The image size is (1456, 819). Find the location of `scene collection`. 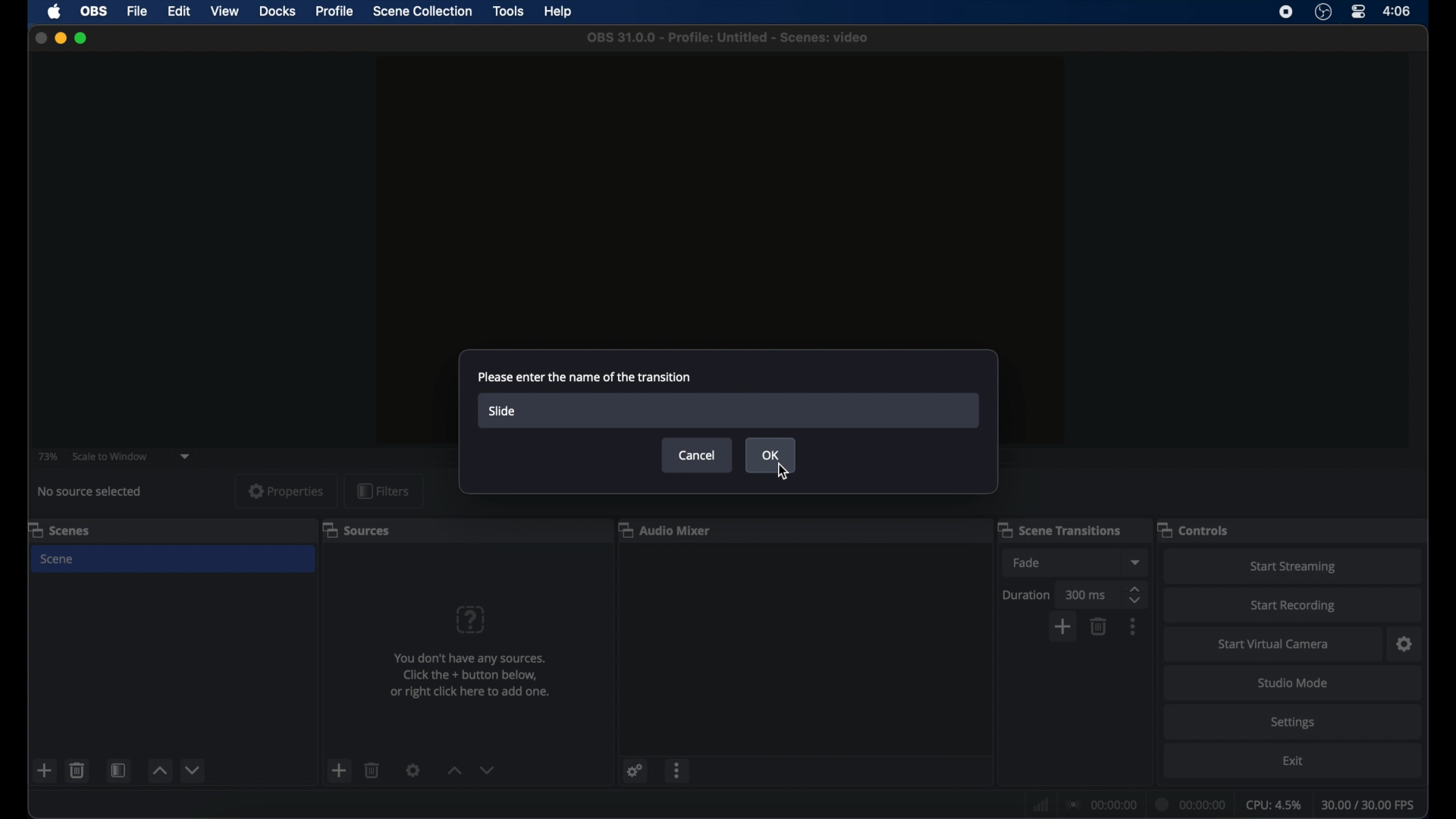

scene collection is located at coordinates (422, 11).